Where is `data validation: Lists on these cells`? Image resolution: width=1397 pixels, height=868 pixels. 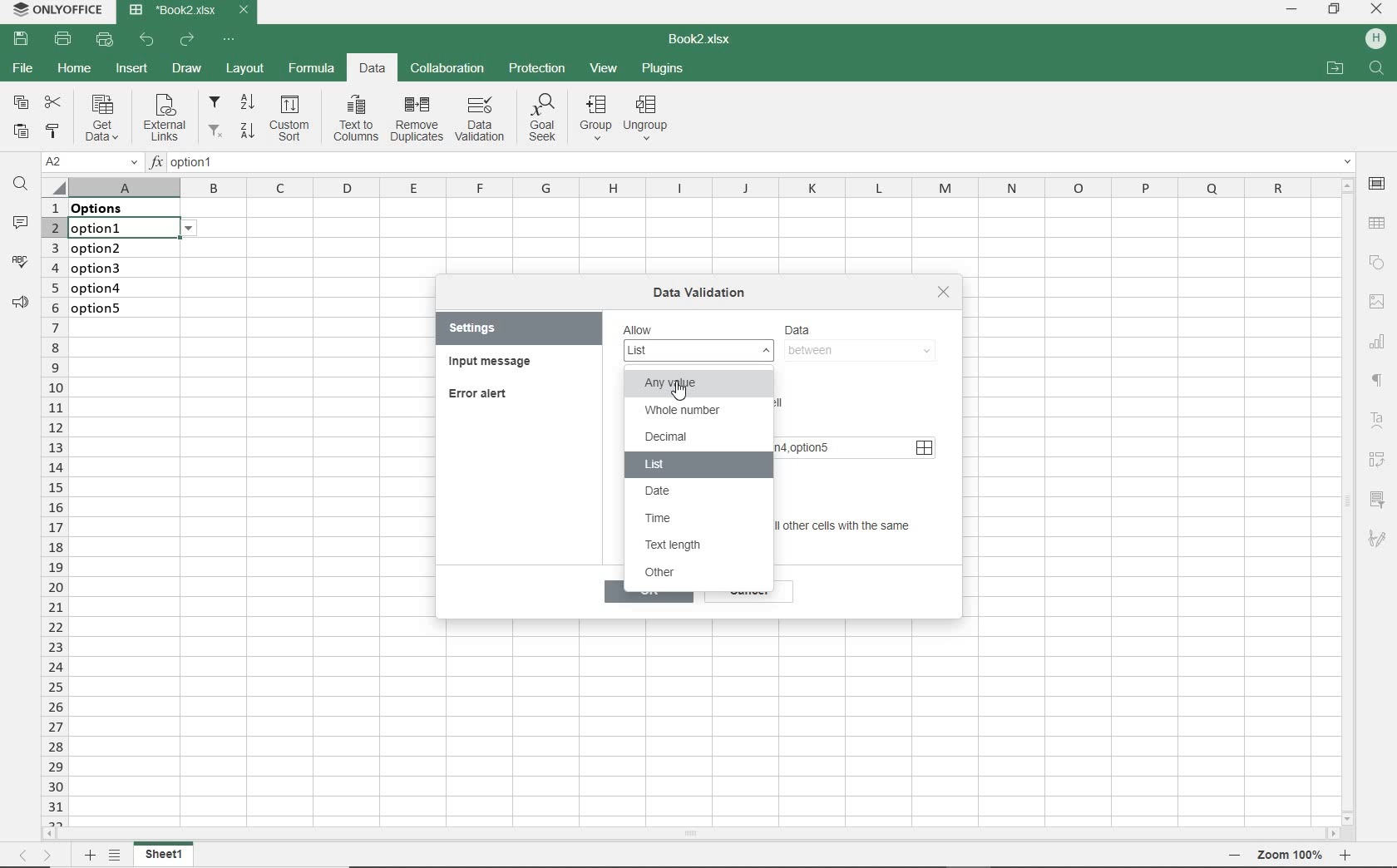 data validation: Lists on these cells is located at coordinates (136, 282).